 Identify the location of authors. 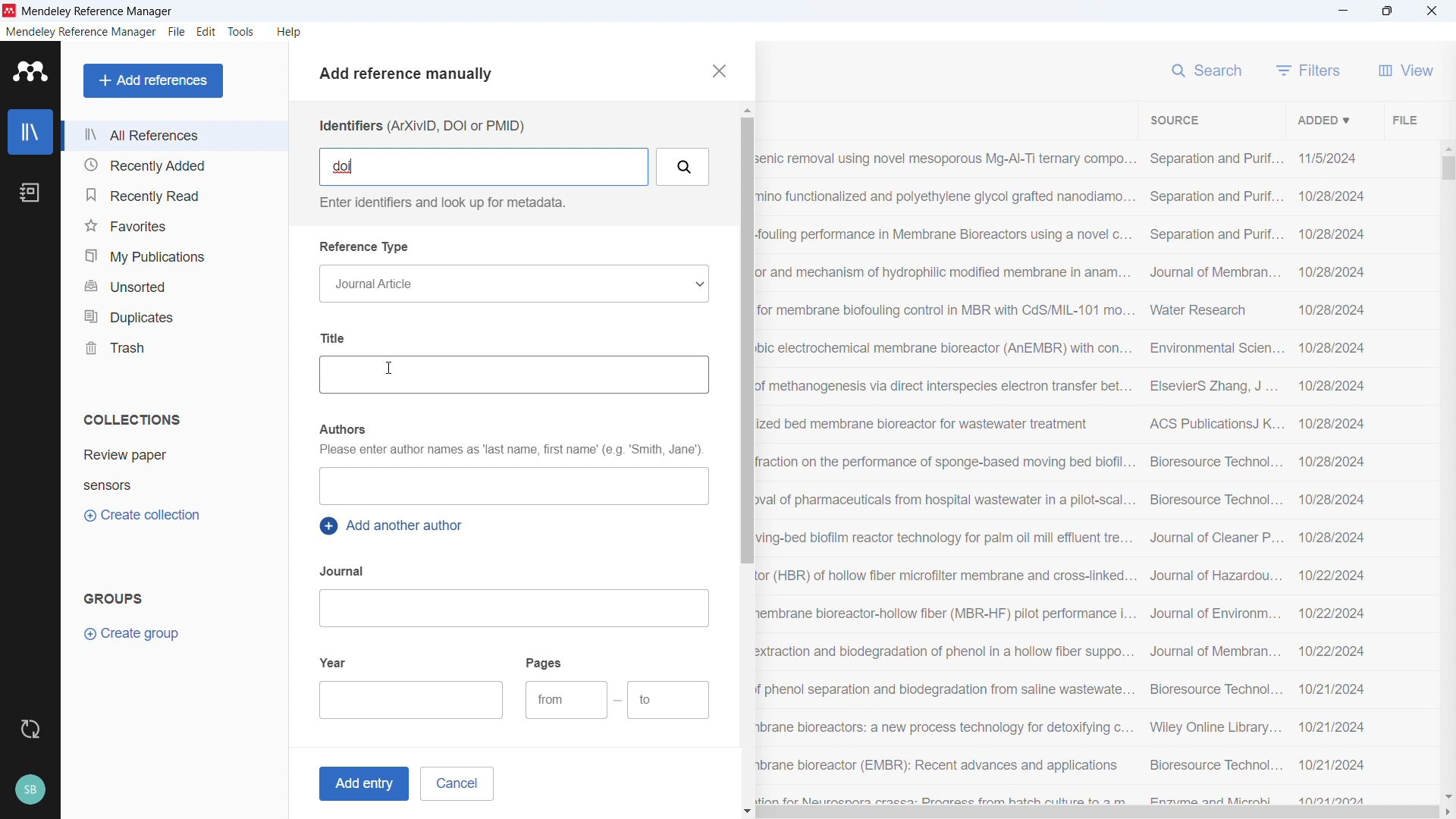
(341, 429).